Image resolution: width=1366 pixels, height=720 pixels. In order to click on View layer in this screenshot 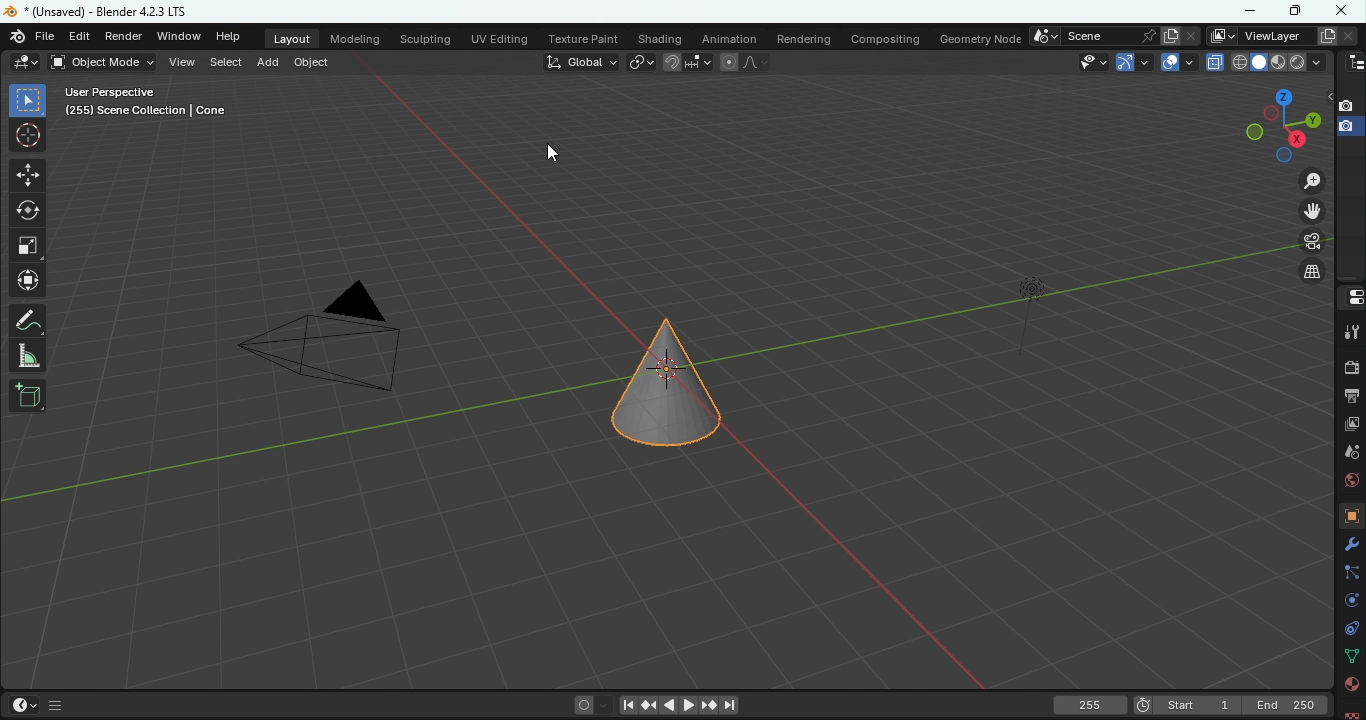, I will do `click(1350, 427)`.